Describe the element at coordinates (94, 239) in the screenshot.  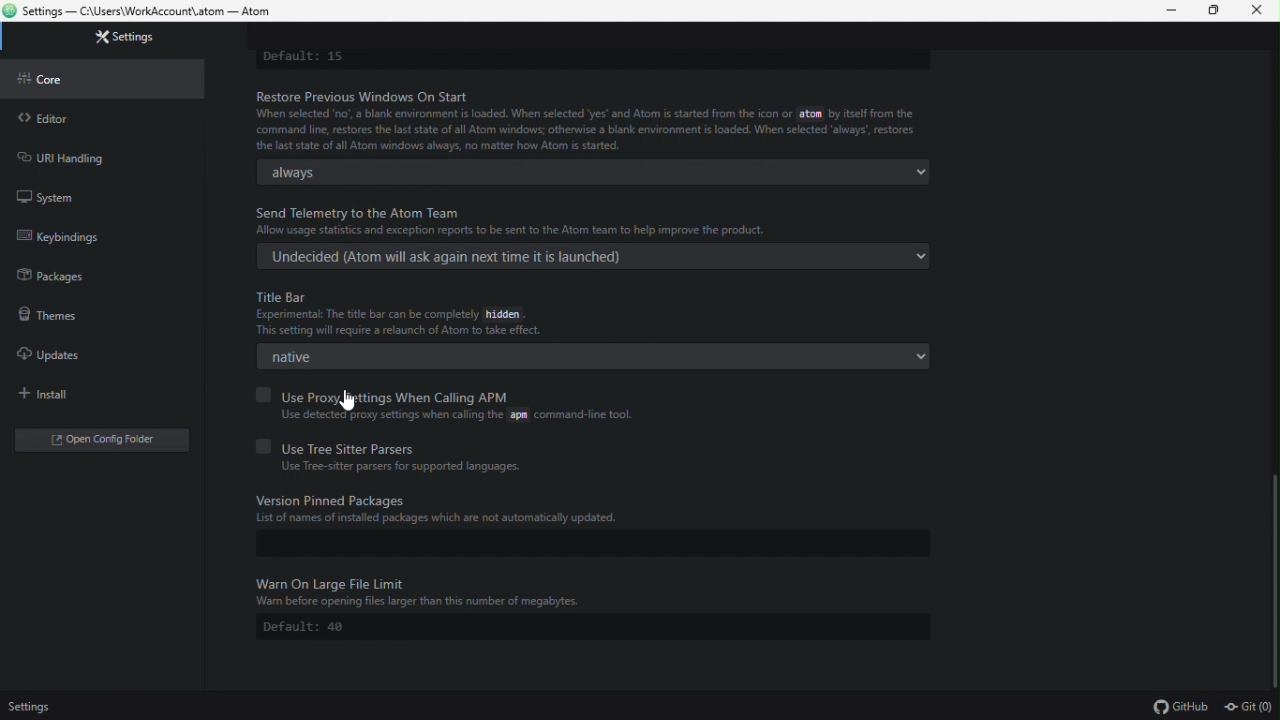
I see `key bindings` at that location.